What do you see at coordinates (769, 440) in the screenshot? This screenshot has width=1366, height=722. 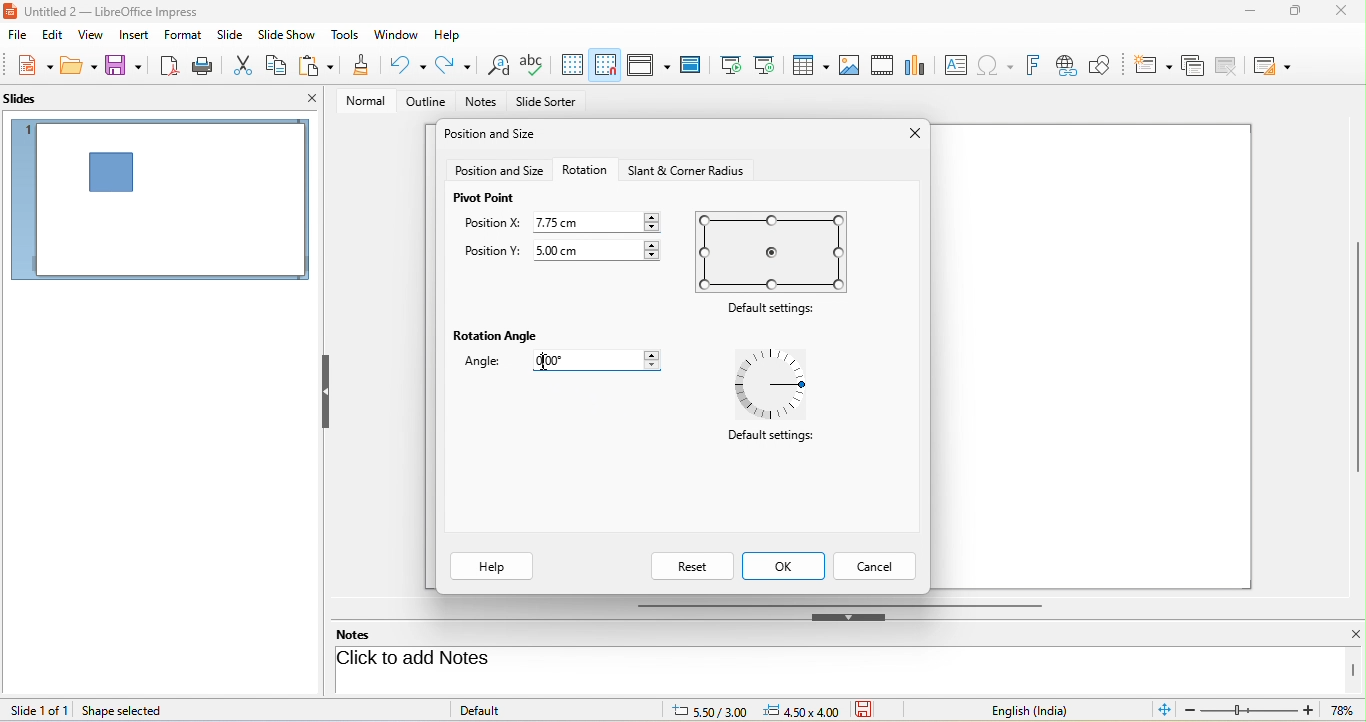 I see `default settings` at bounding box center [769, 440].